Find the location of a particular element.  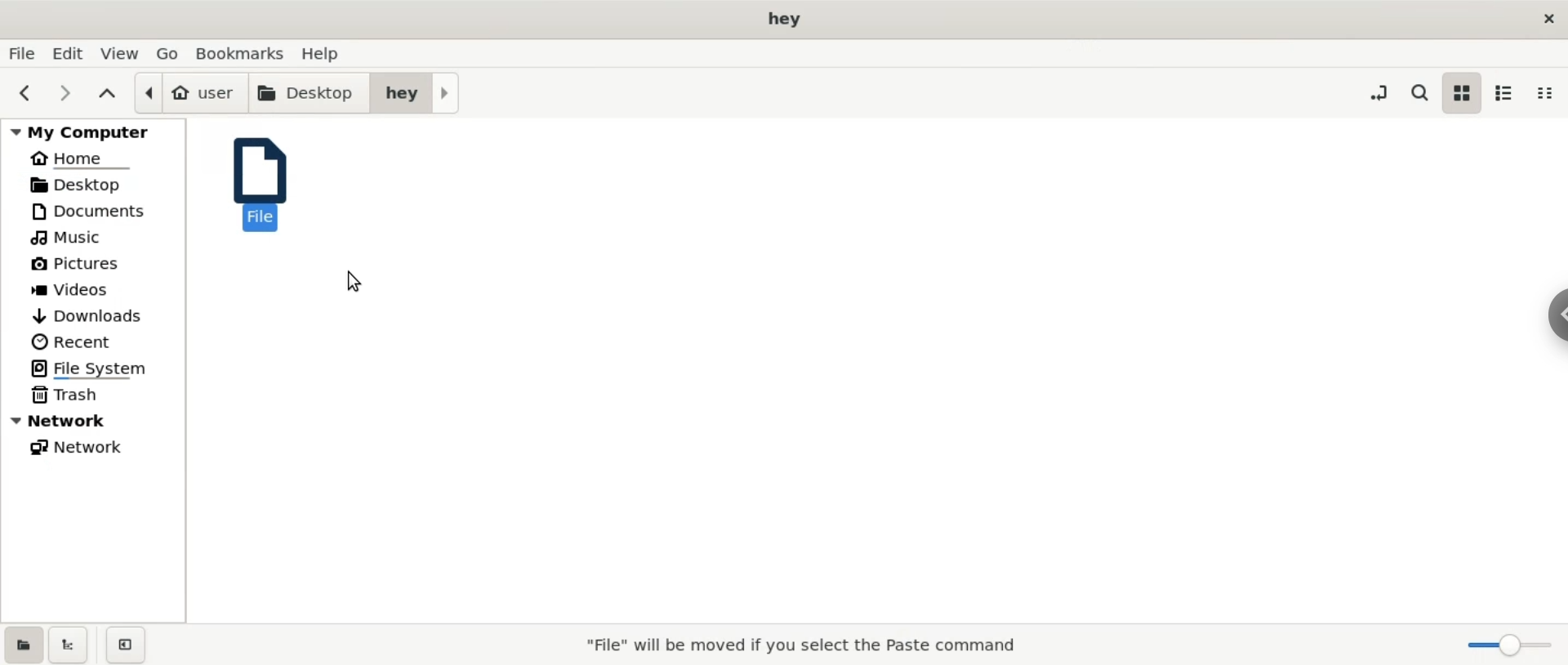

edit is located at coordinates (69, 53).